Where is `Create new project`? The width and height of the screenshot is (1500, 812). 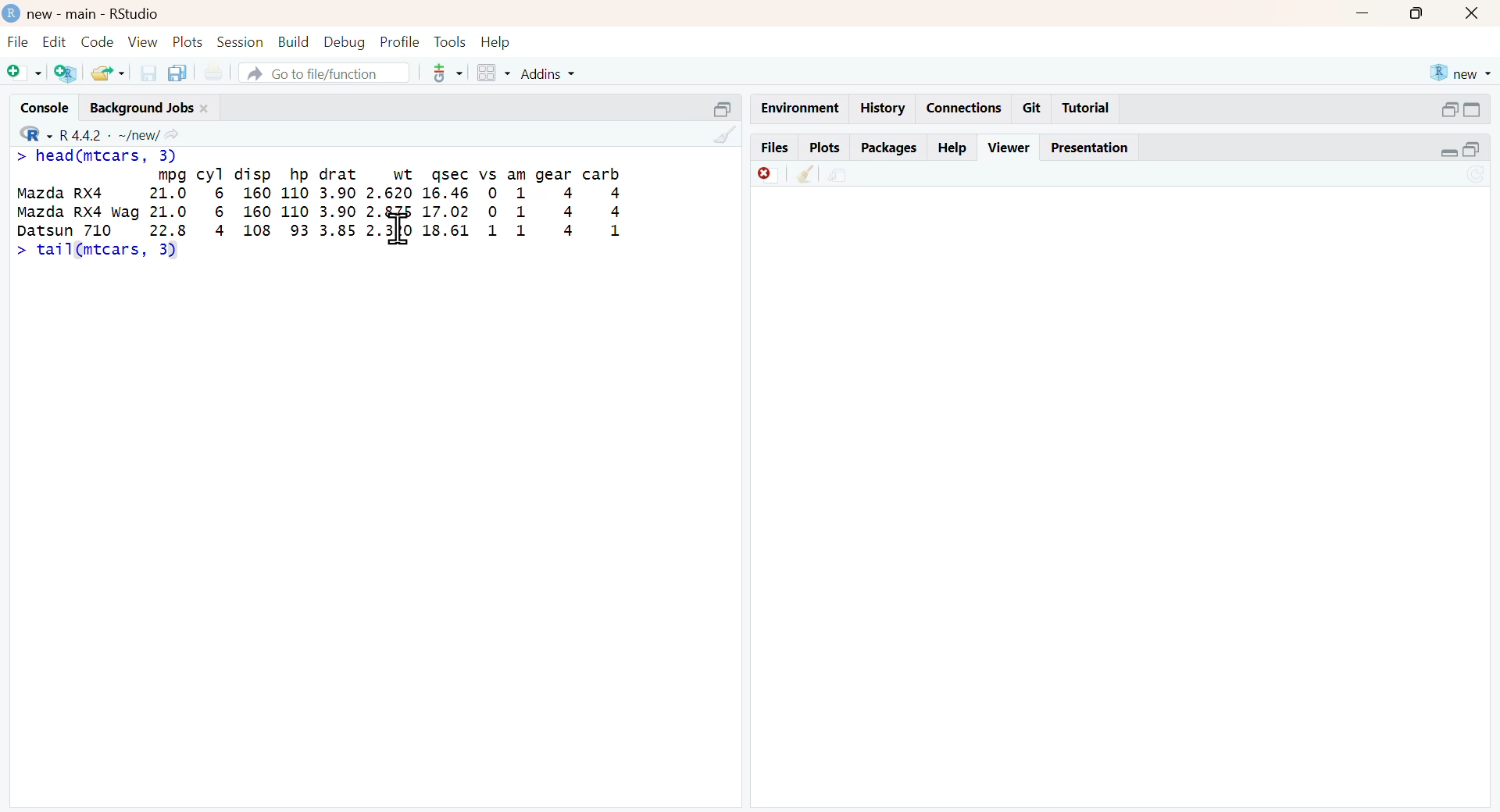 Create new project is located at coordinates (63, 73).